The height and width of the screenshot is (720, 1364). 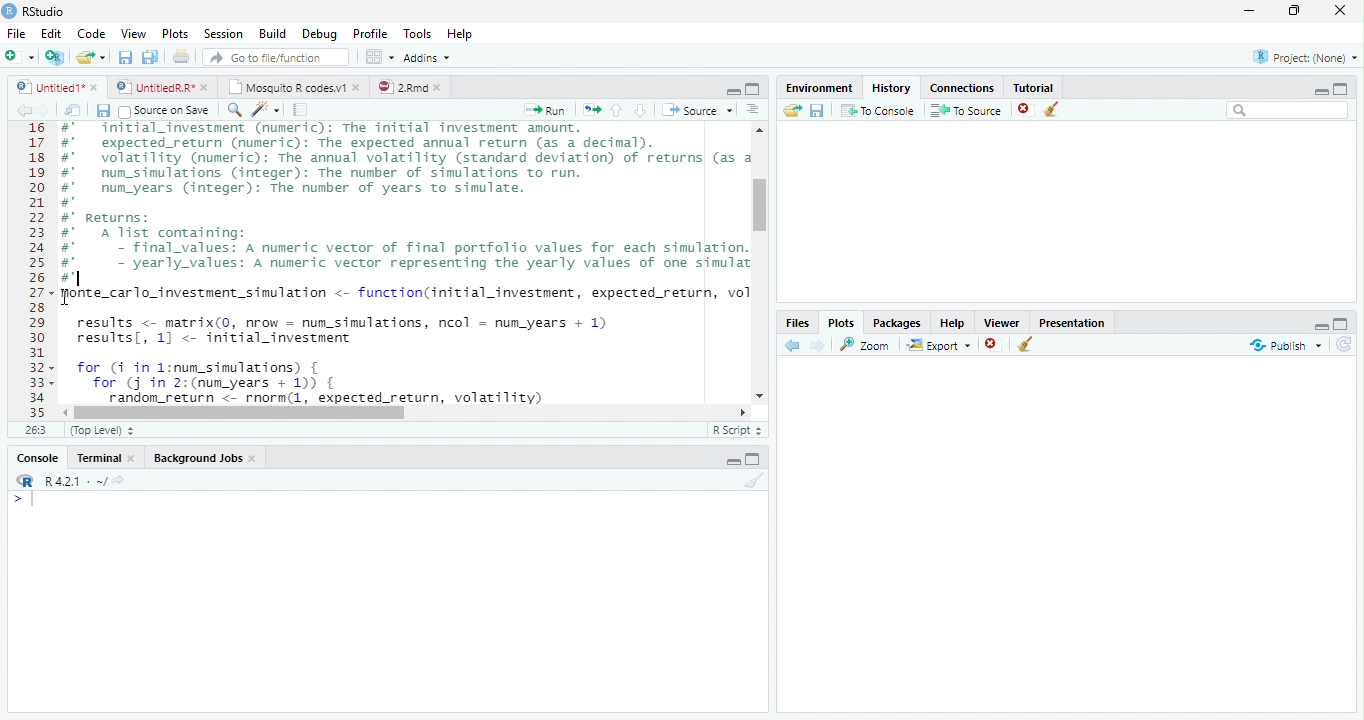 What do you see at coordinates (292, 86) in the screenshot?
I see `Mosquito R codes.v1` at bounding box center [292, 86].